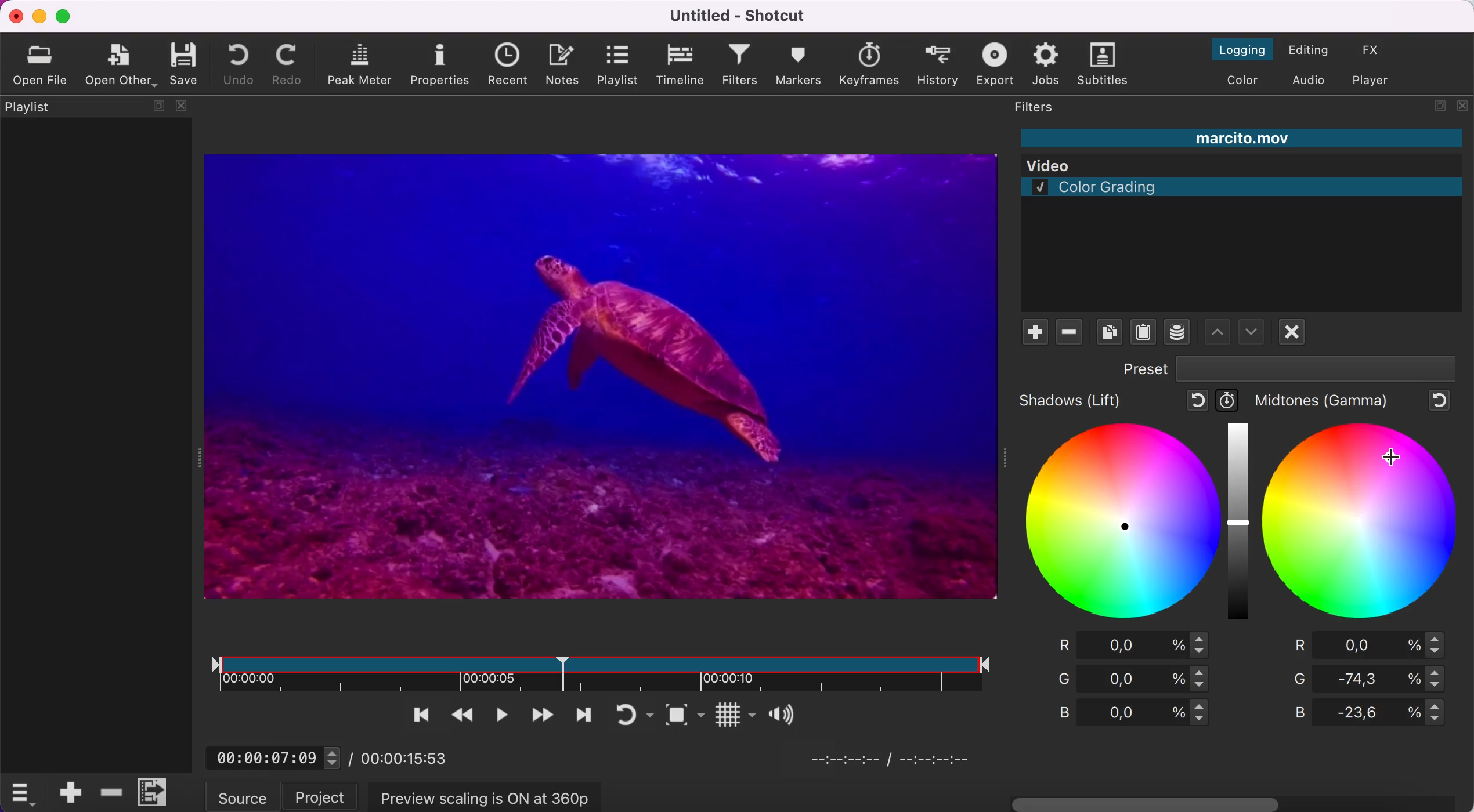 The image size is (1474, 812). I want to click on toggle zoom, so click(663, 715).